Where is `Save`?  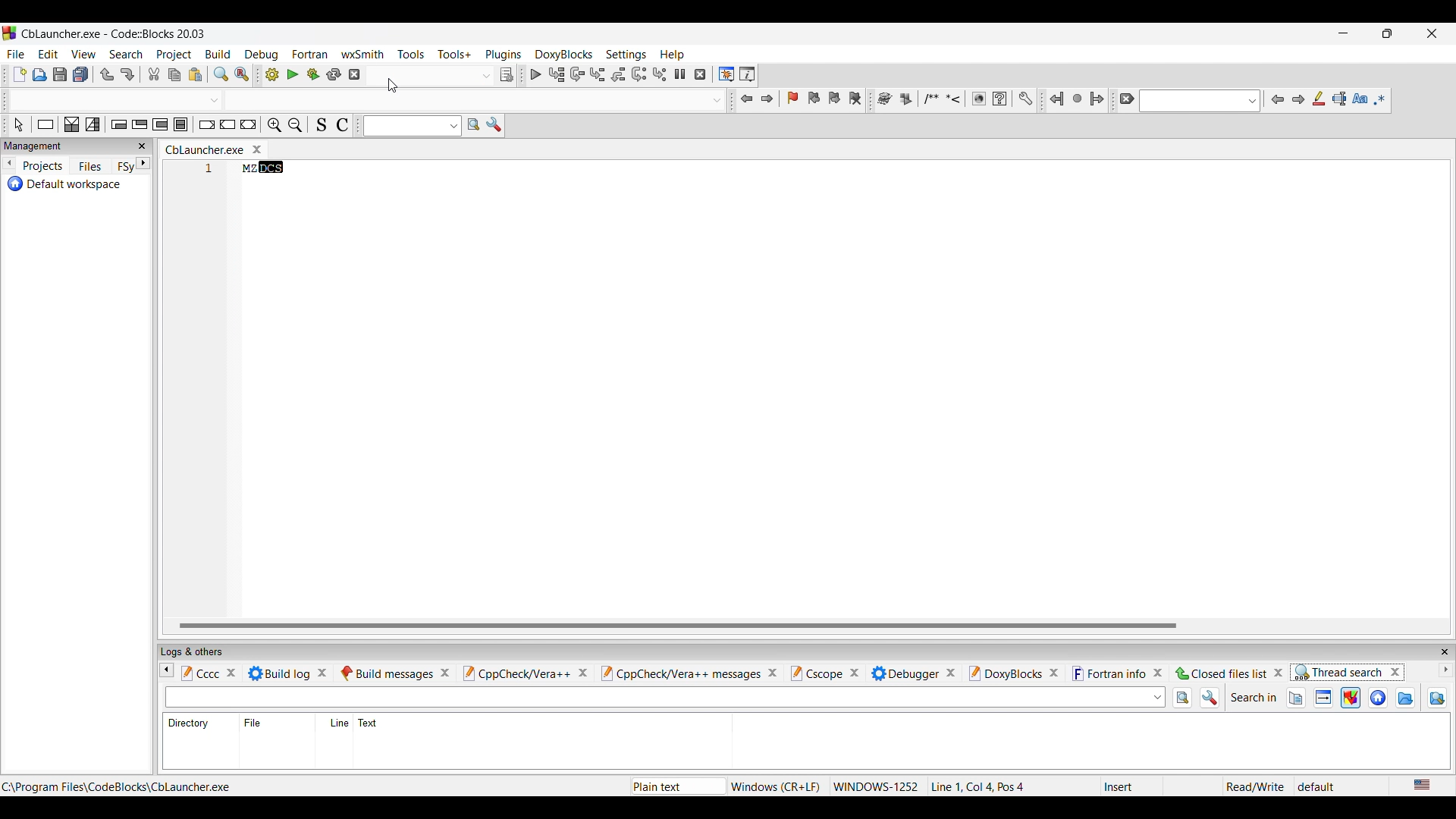
Save is located at coordinates (61, 74).